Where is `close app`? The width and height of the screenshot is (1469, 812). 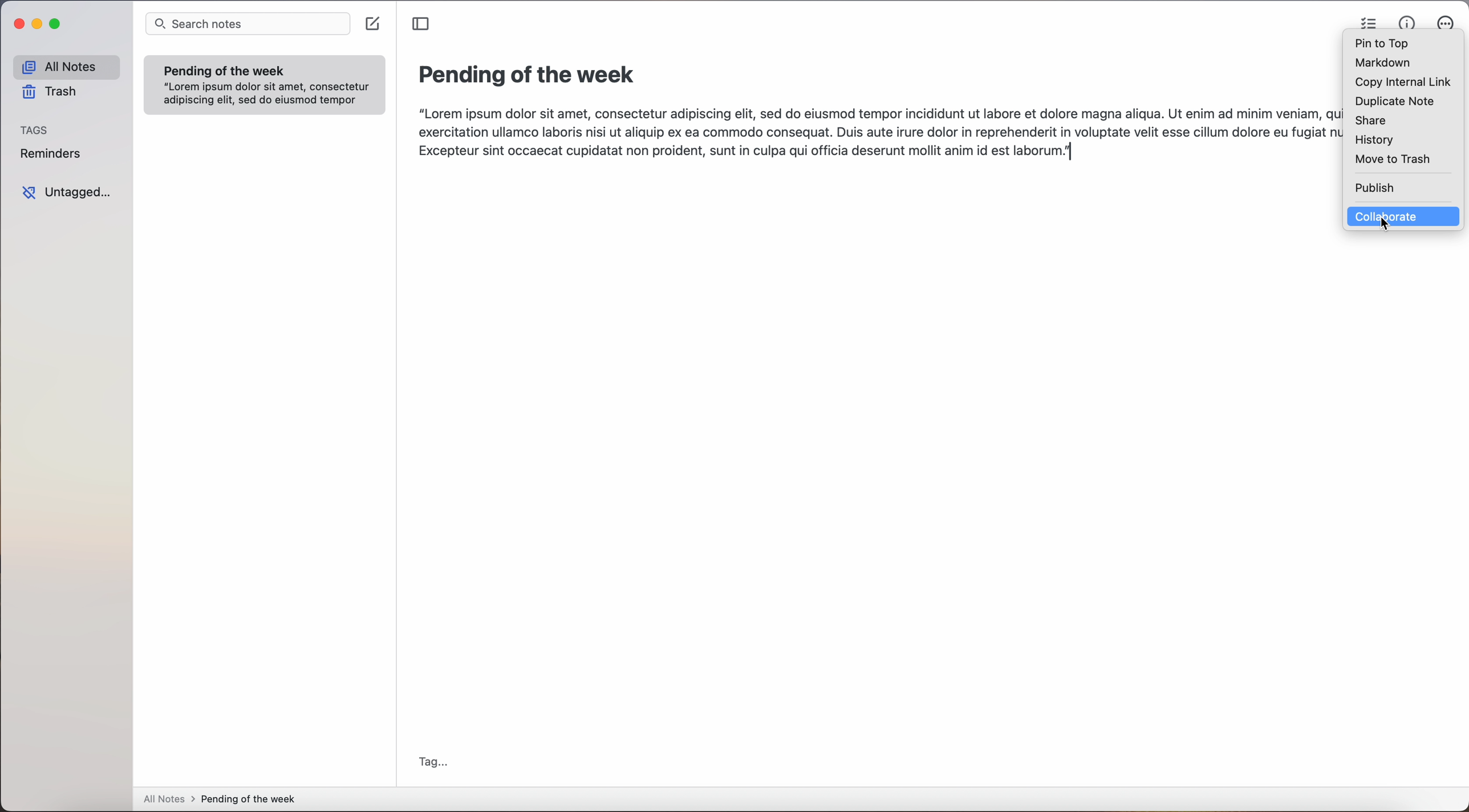
close app is located at coordinates (15, 25).